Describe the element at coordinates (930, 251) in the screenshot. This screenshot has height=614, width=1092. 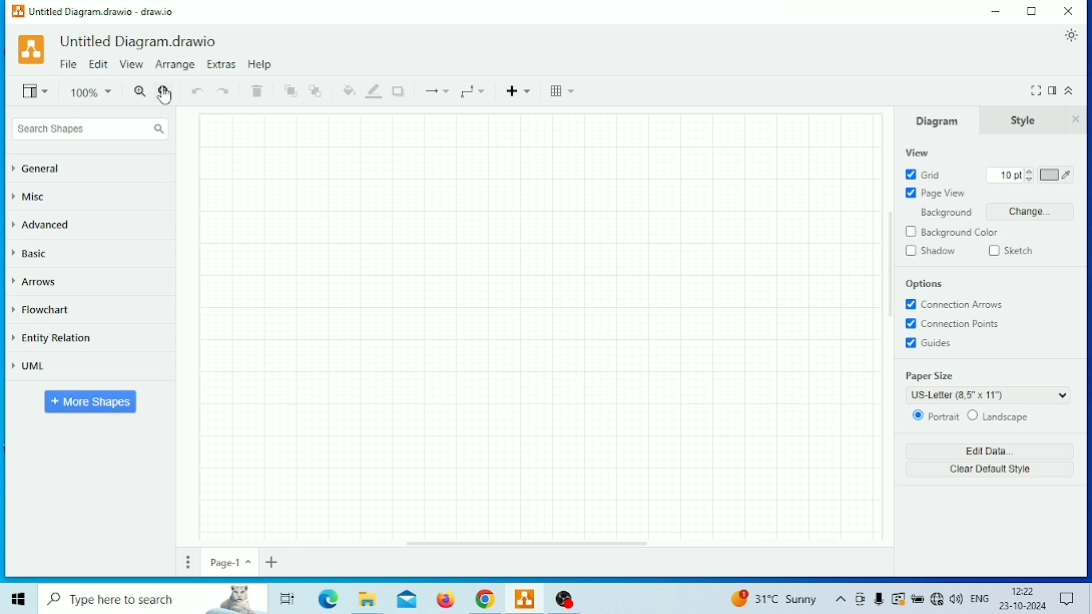
I see `Shadow` at that location.